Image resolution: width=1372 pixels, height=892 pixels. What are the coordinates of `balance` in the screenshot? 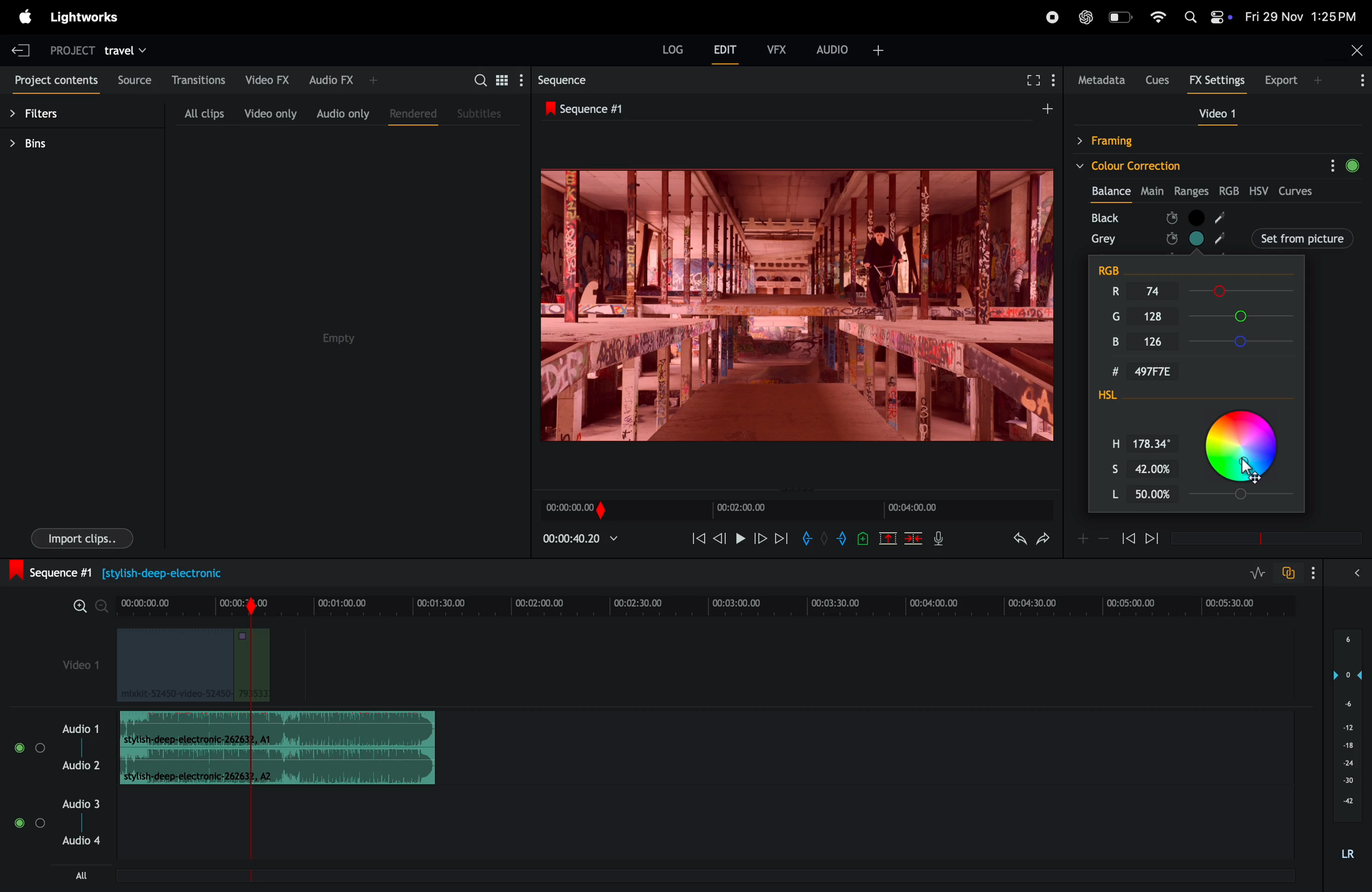 It's located at (1111, 189).